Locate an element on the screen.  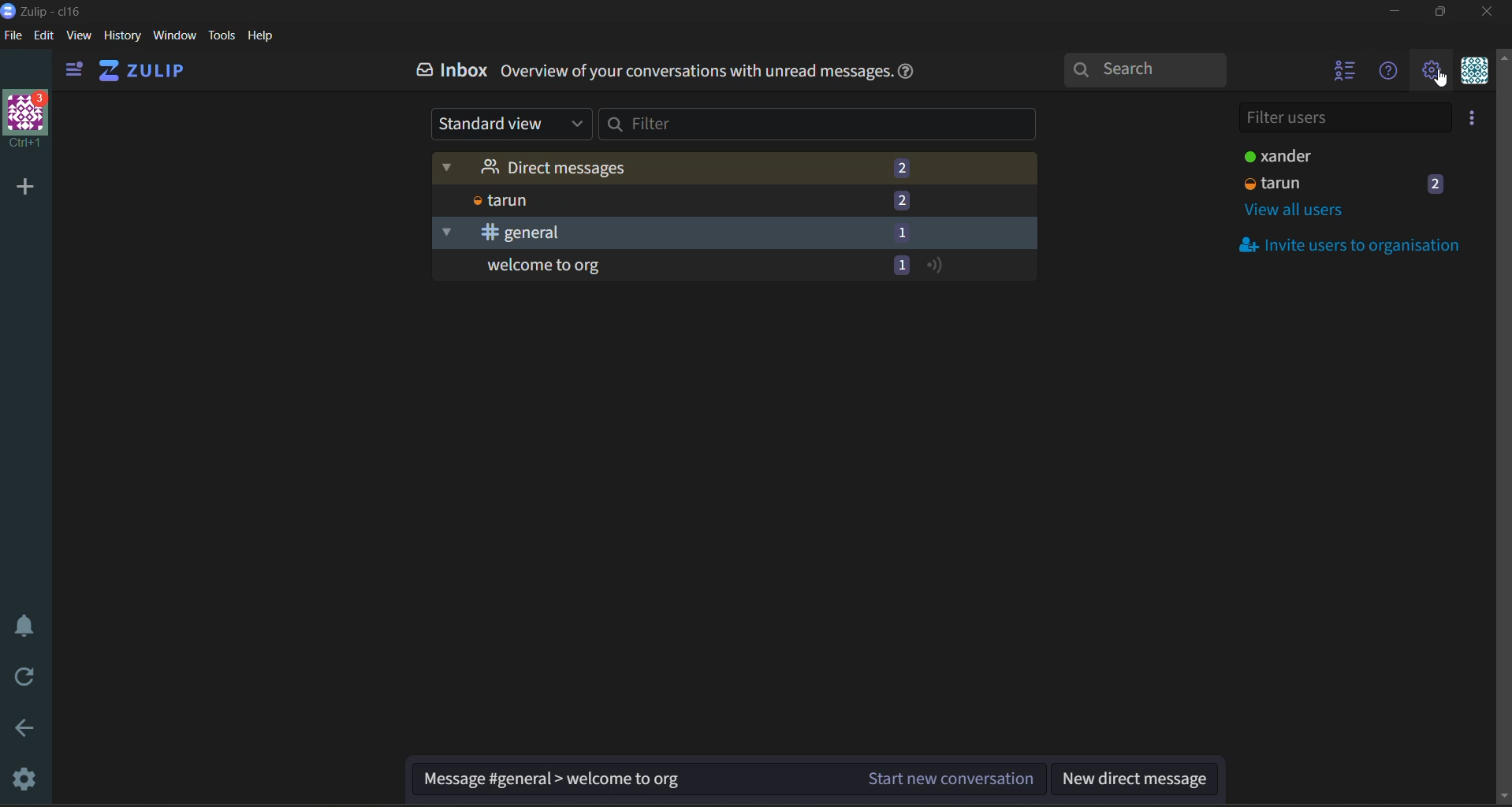
cursor is located at coordinates (1439, 80).